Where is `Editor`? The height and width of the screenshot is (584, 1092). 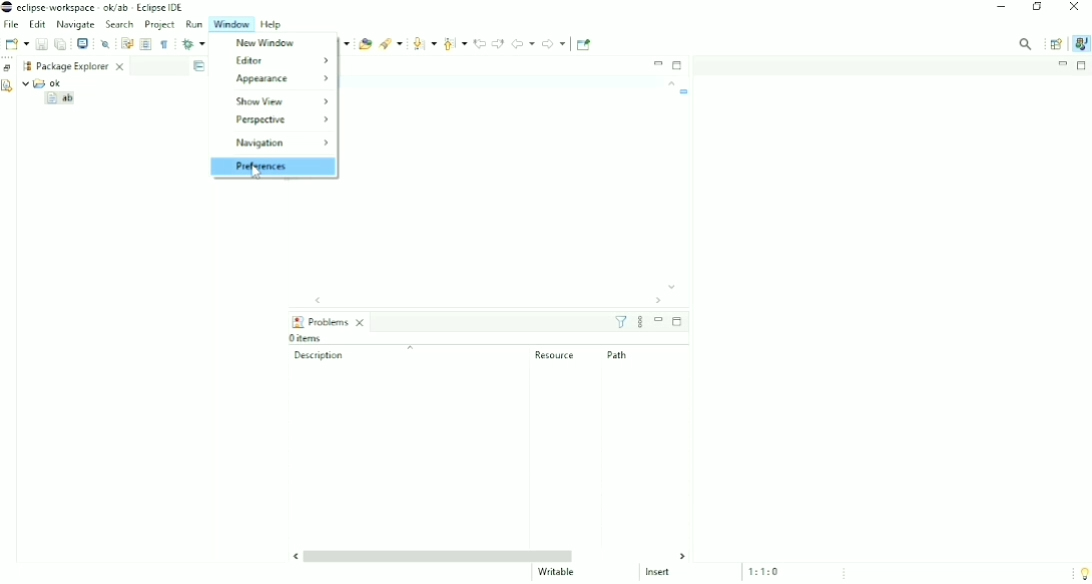 Editor is located at coordinates (281, 60).